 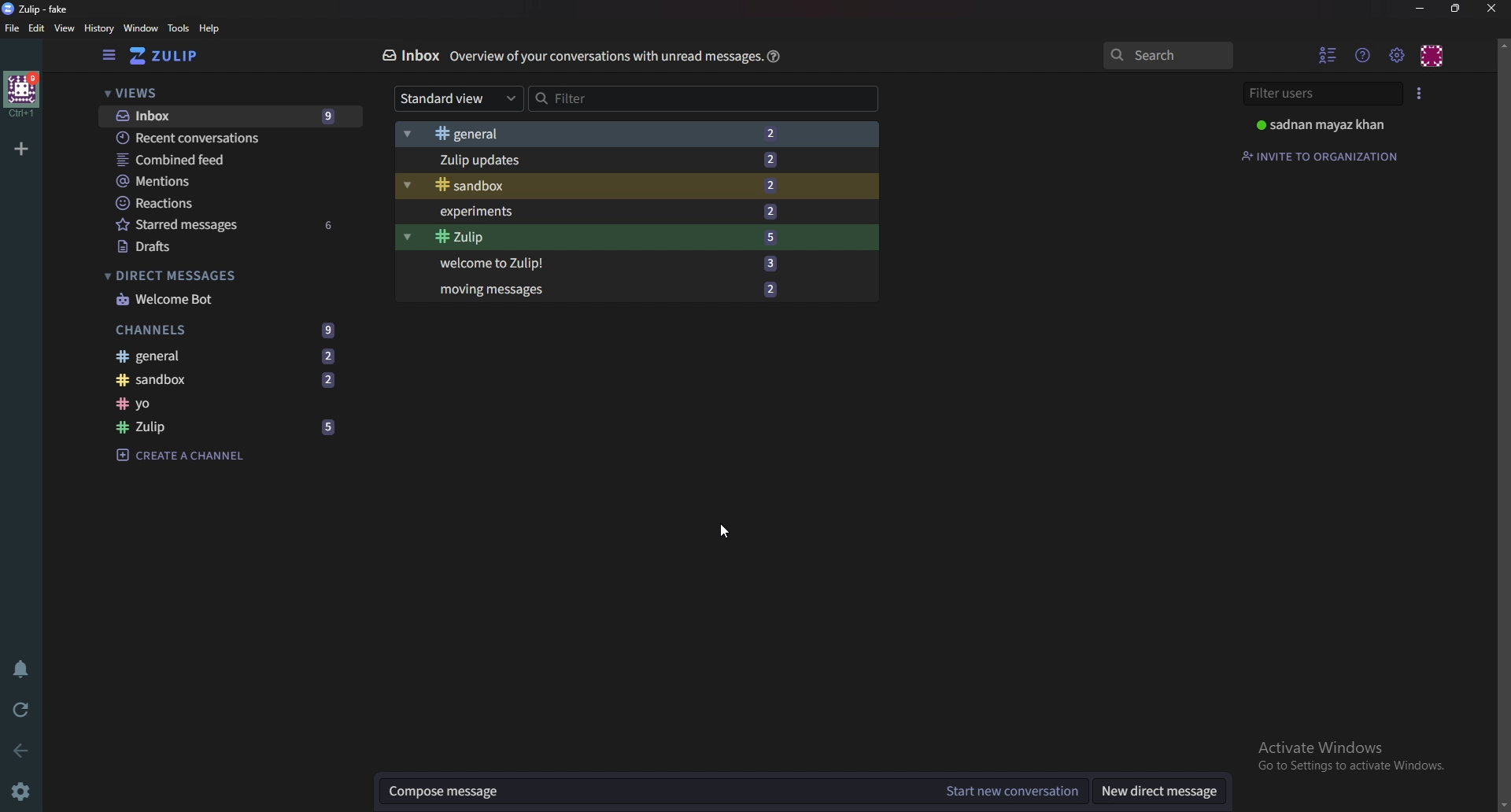 I want to click on Inbox, so click(x=410, y=54).